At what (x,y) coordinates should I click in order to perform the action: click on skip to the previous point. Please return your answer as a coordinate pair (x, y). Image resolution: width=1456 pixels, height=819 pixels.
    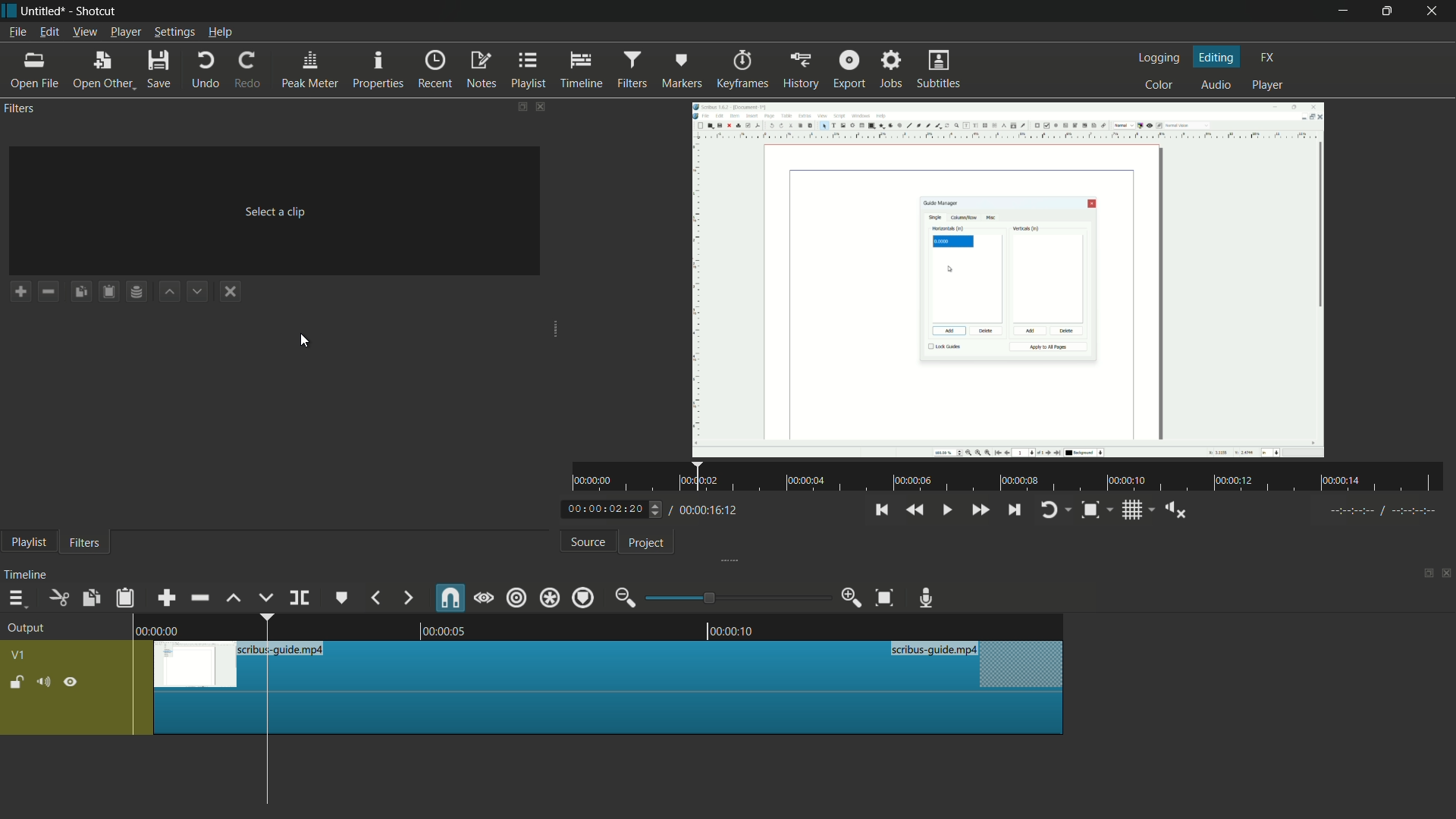
    Looking at the image, I should click on (881, 510).